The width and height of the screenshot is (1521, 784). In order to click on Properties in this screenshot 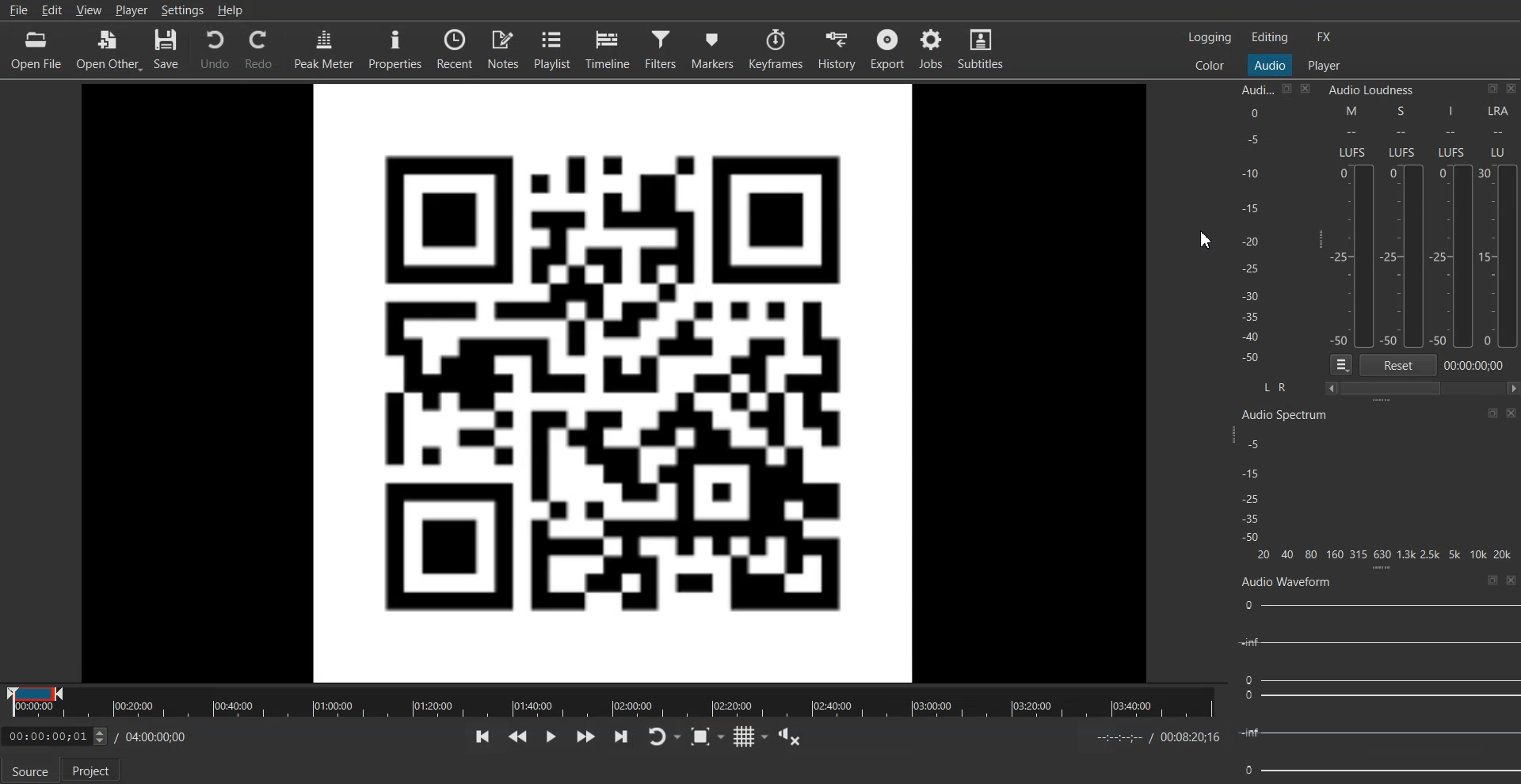, I will do `click(395, 50)`.